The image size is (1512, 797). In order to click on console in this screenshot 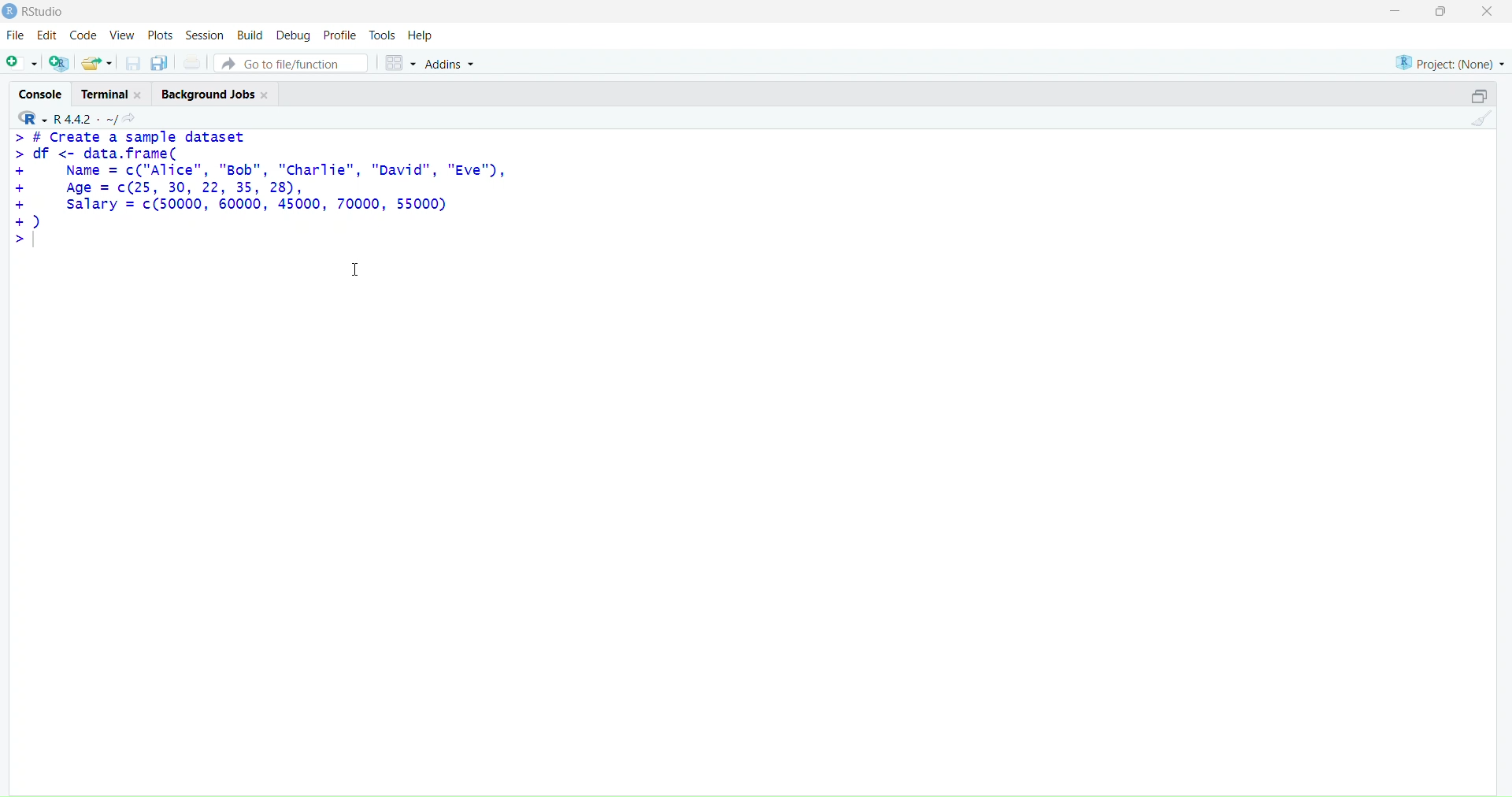, I will do `click(41, 95)`.